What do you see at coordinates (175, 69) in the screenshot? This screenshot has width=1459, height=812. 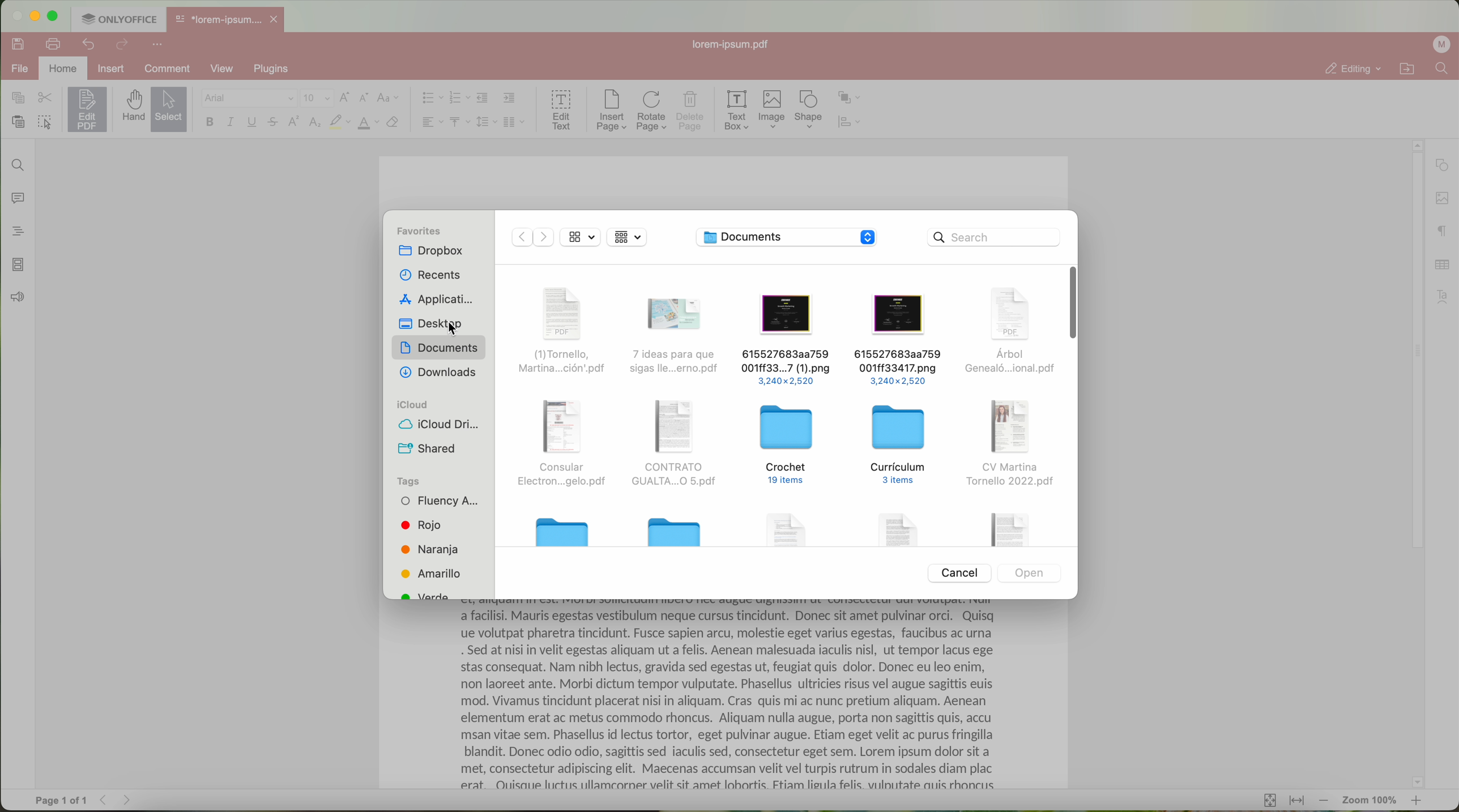 I see `comment` at bounding box center [175, 69].